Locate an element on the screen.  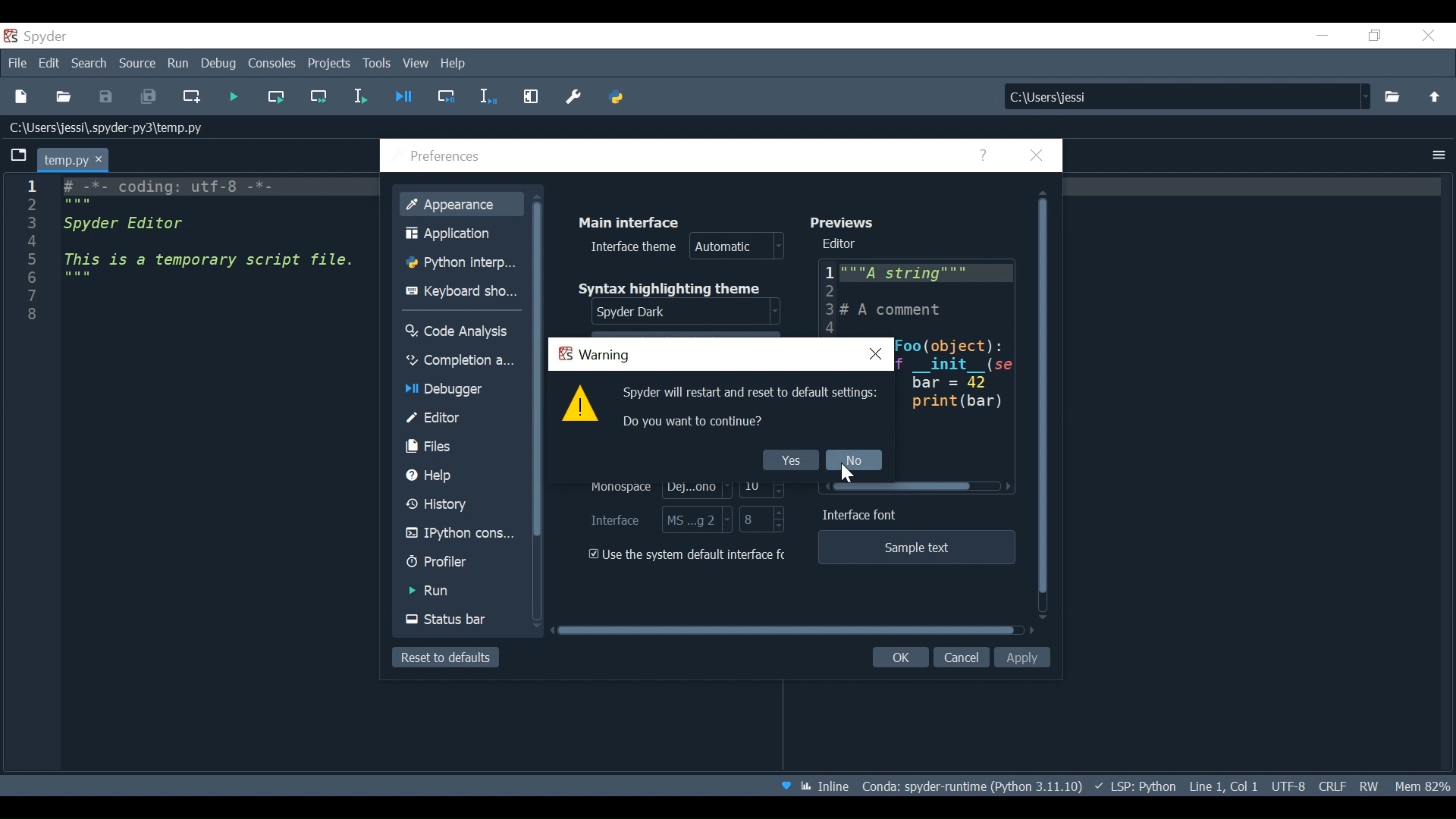
Code Analysis is located at coordinates (463, 331).